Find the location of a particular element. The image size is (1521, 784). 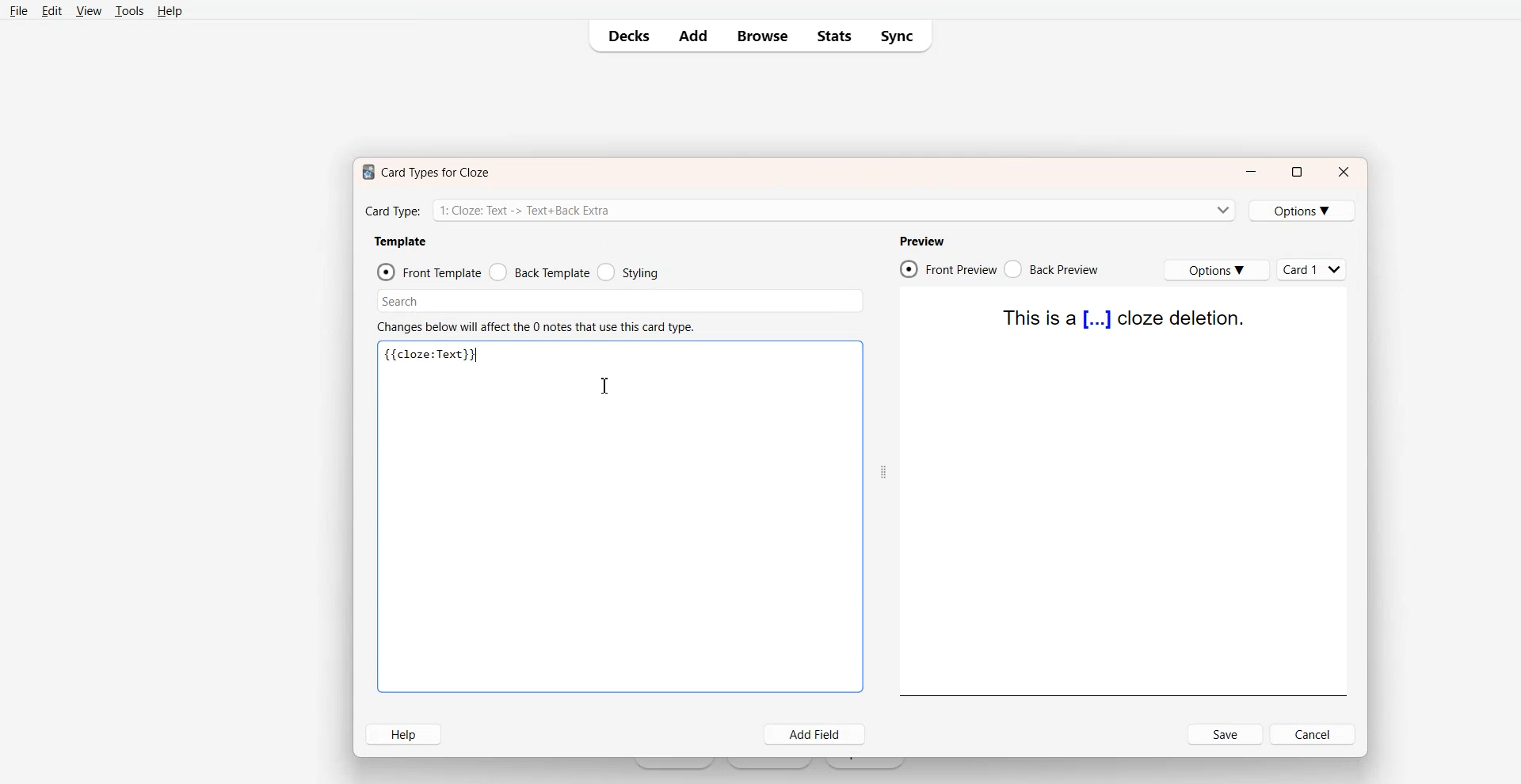

Close is located at coordinates (1344, 172).